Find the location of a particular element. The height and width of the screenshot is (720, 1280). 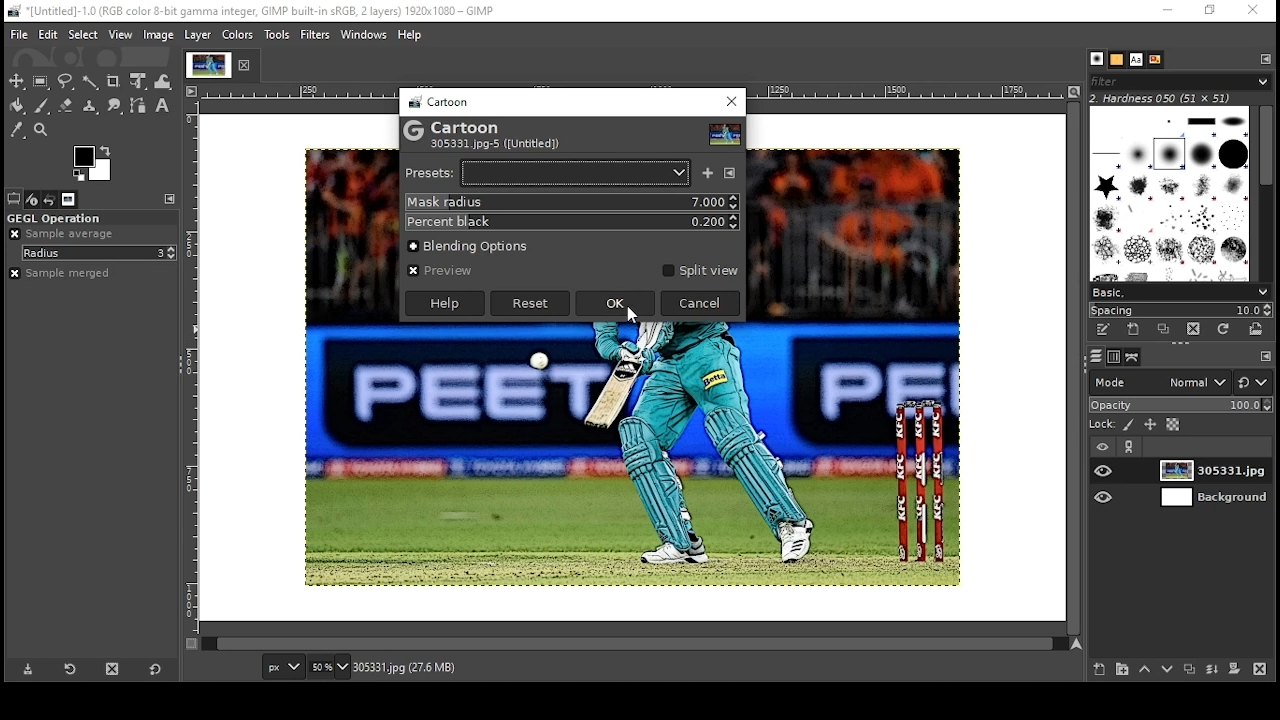

help is located at coordinates (412, 35).